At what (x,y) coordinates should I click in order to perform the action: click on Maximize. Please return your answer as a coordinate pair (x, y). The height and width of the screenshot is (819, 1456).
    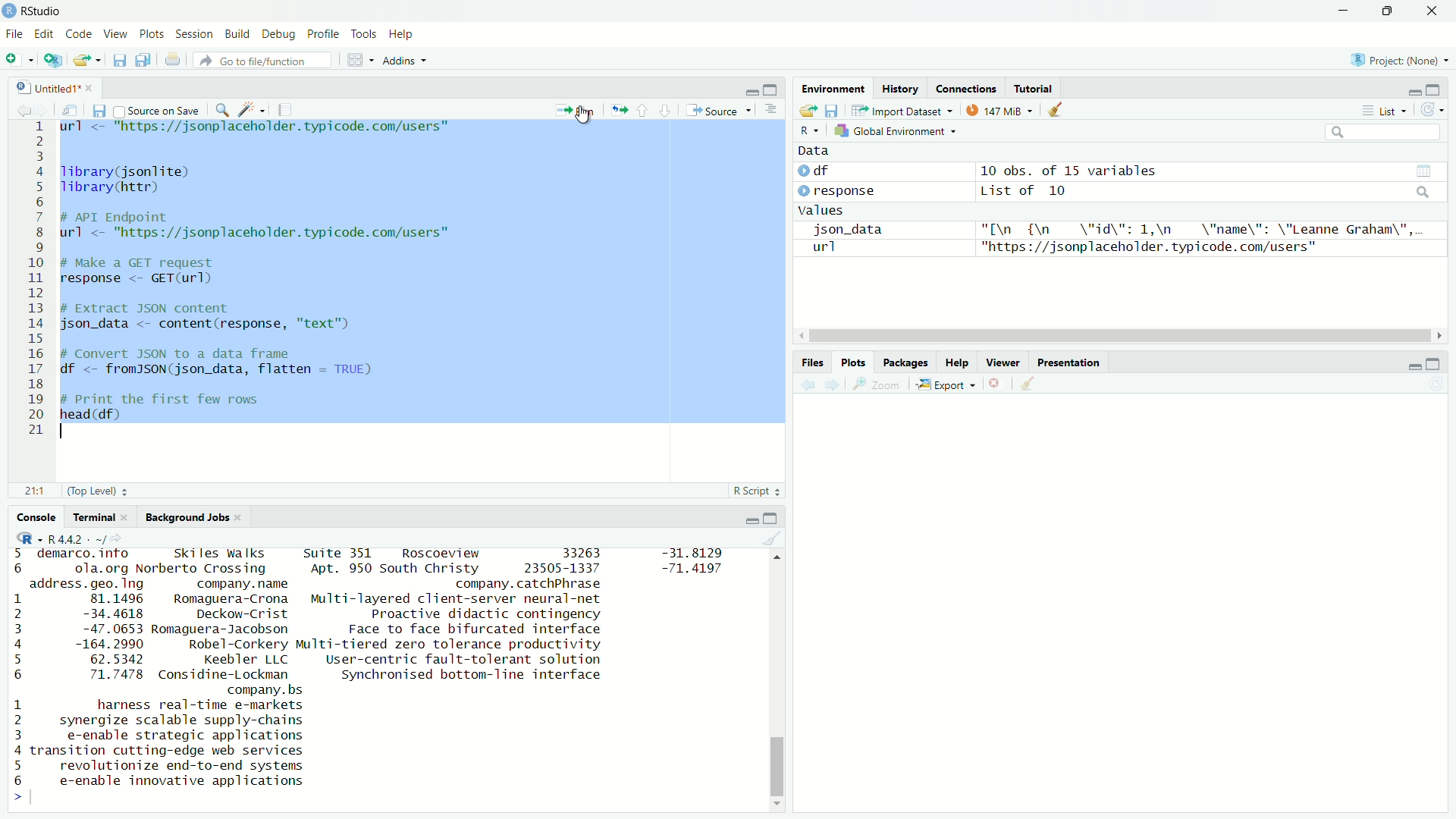
    Looking at the image, I should click on (1434, 365).